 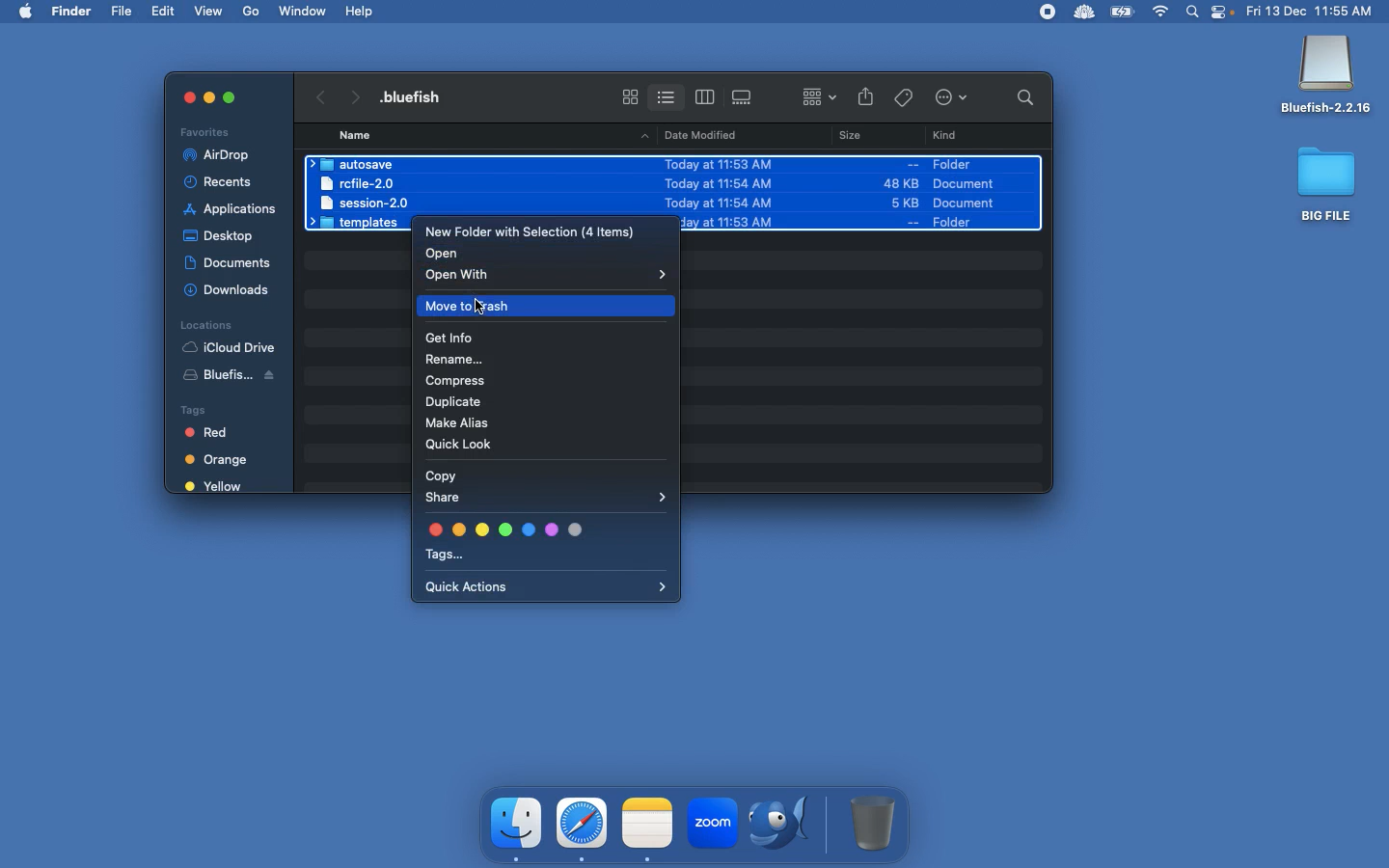 I want to click on Get info, so click(x=450, y=339).